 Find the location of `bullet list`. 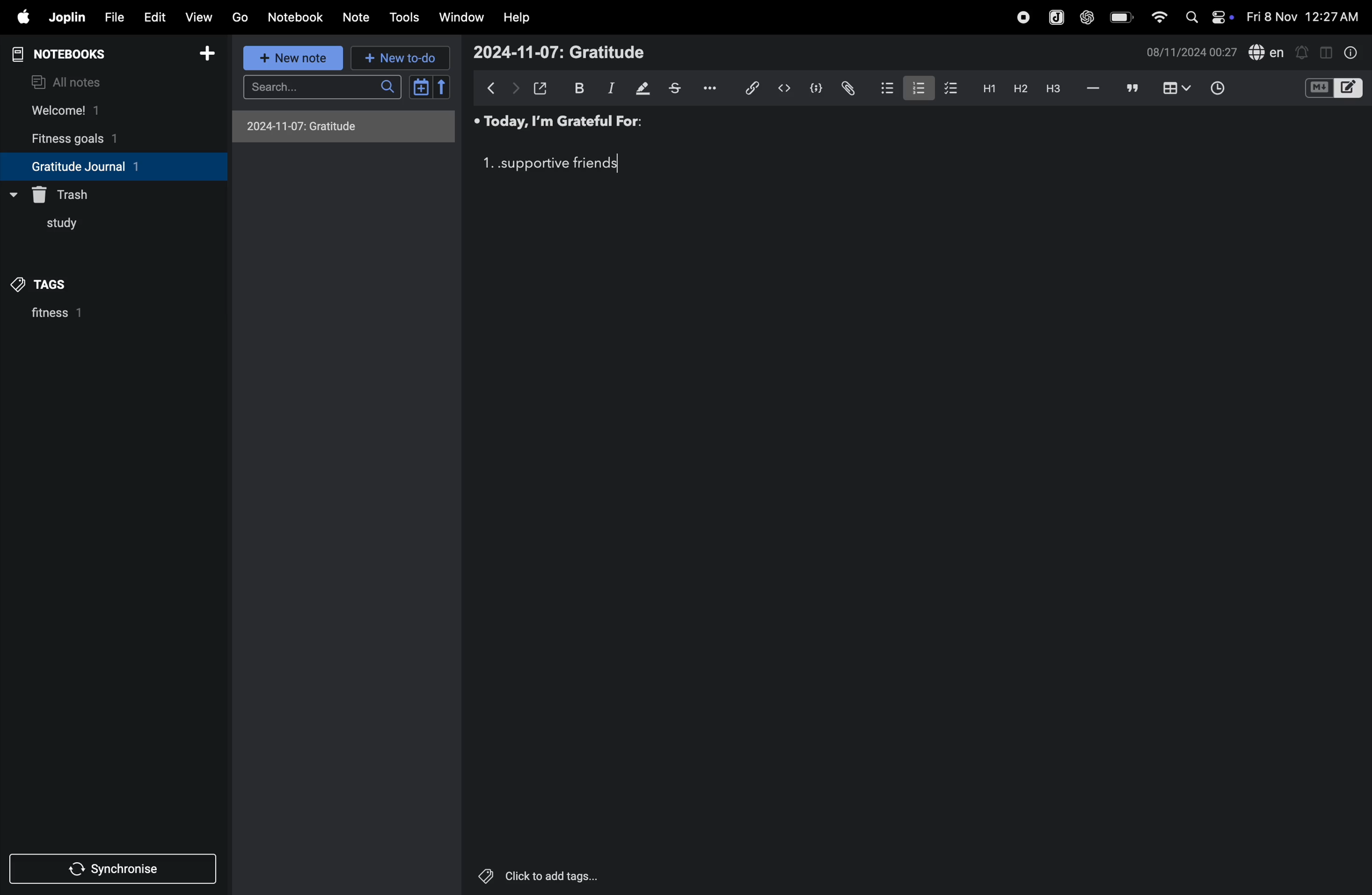

bullet list is located at coordinates (882, 88).